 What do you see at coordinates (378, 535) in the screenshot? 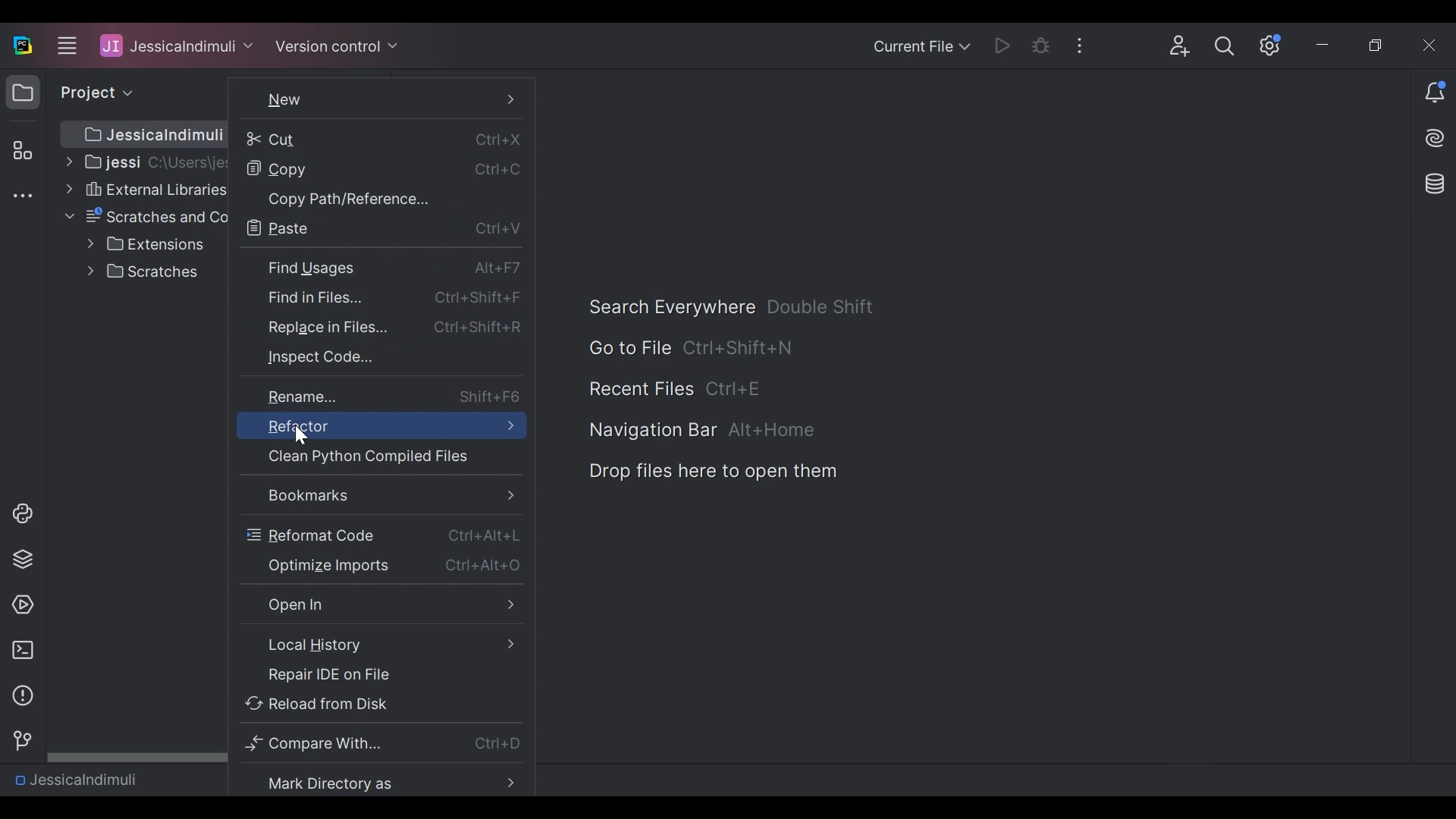
I see `Reformat Code` at bounding box center [378, 535].